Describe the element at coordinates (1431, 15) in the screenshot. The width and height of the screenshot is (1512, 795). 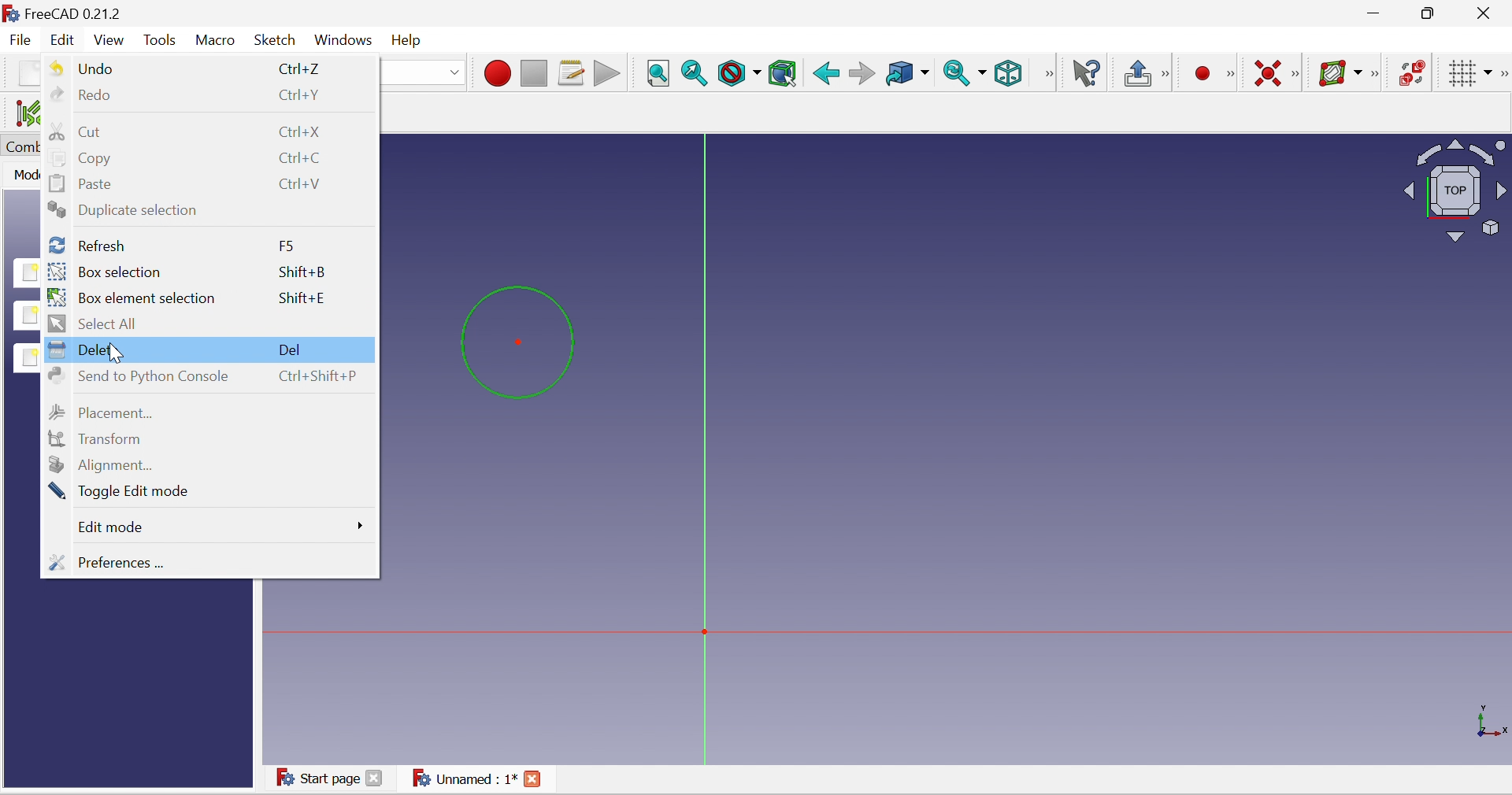
I see `Restore down` at that location.